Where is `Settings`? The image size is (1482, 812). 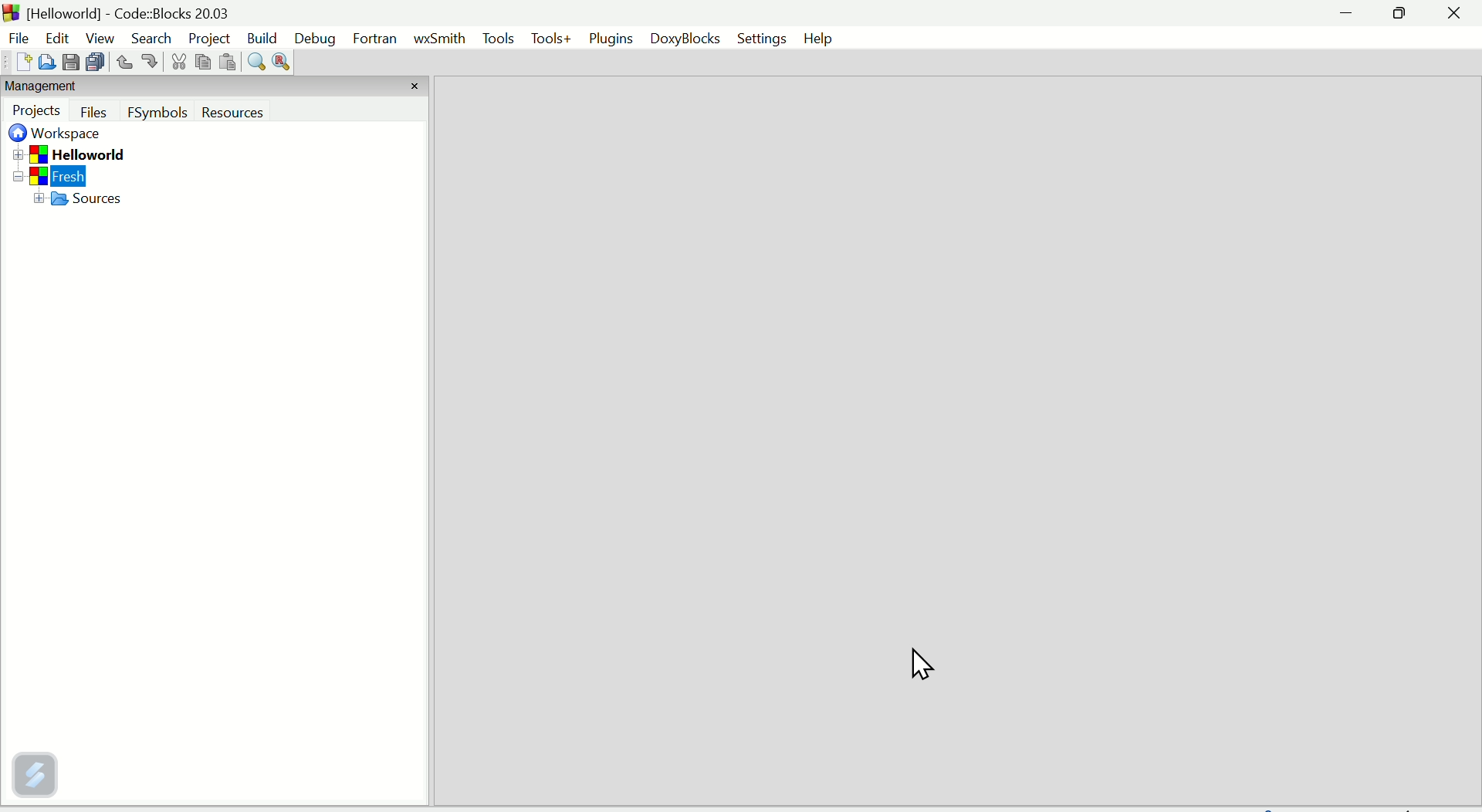
Settings is located at coordinates (762, 38).